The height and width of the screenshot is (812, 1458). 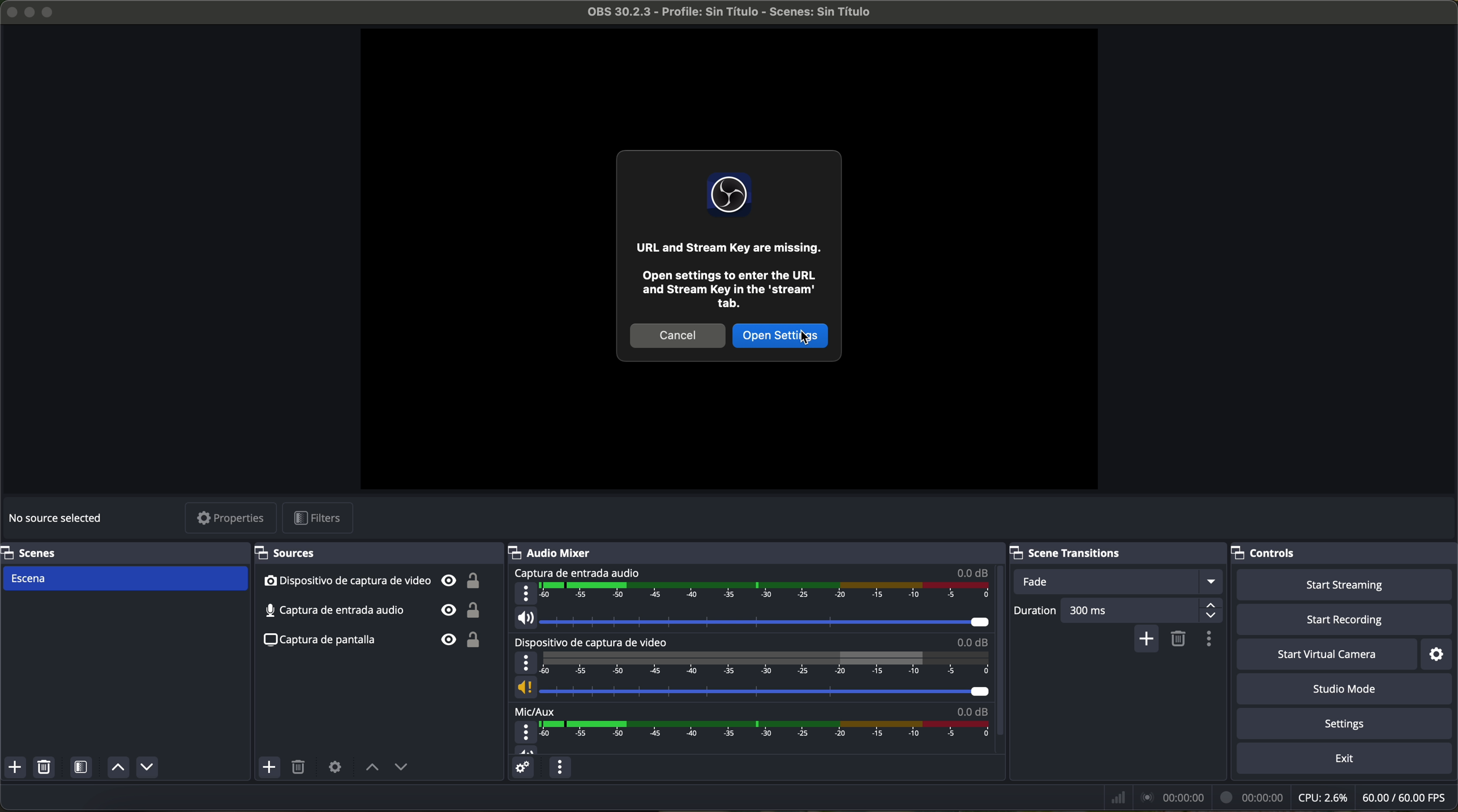 I want to click on filters, so click(x=321, y=519).